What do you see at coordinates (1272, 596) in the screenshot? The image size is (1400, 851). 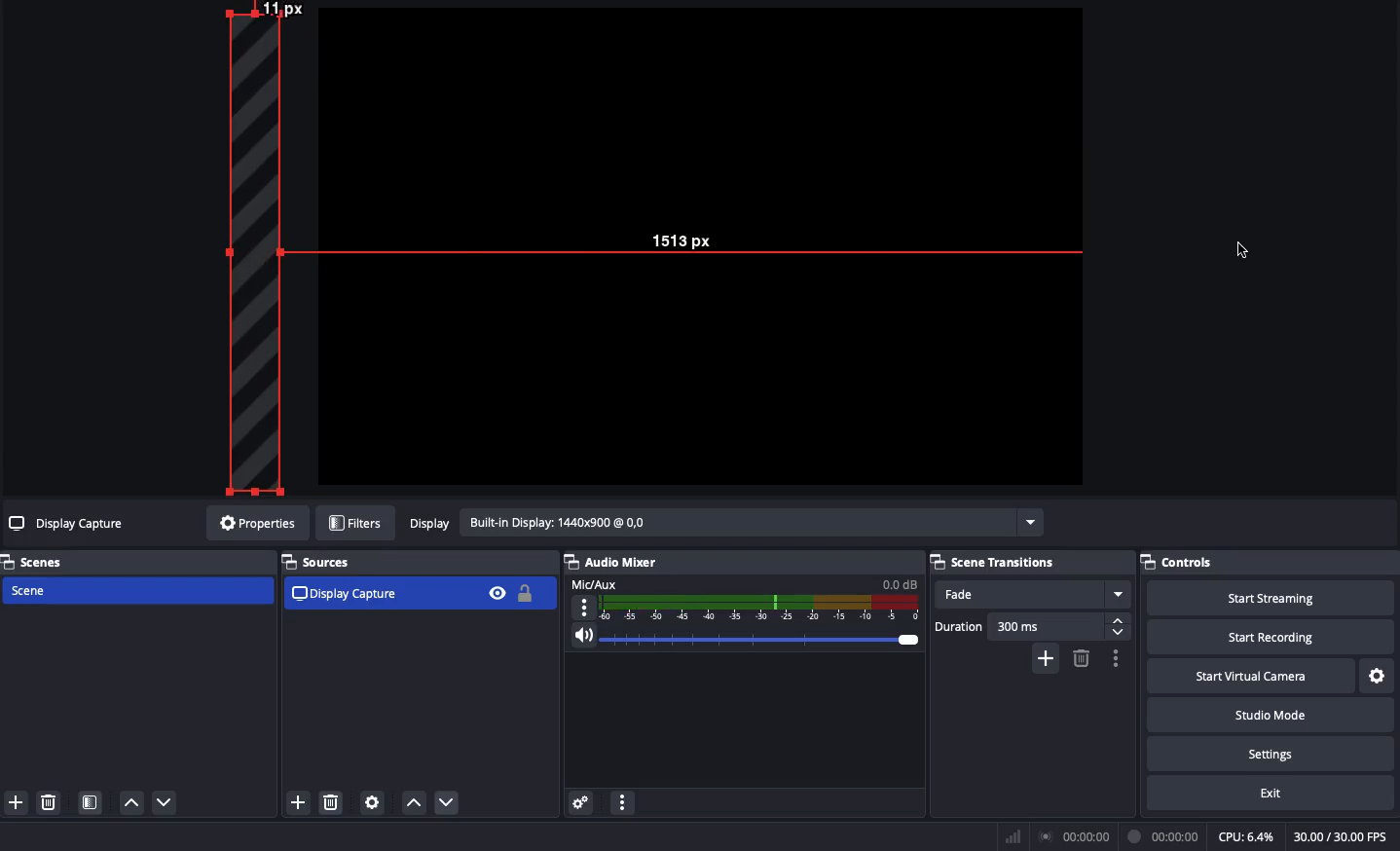 I see `Start streaming` at bounding box center [1272, 596].